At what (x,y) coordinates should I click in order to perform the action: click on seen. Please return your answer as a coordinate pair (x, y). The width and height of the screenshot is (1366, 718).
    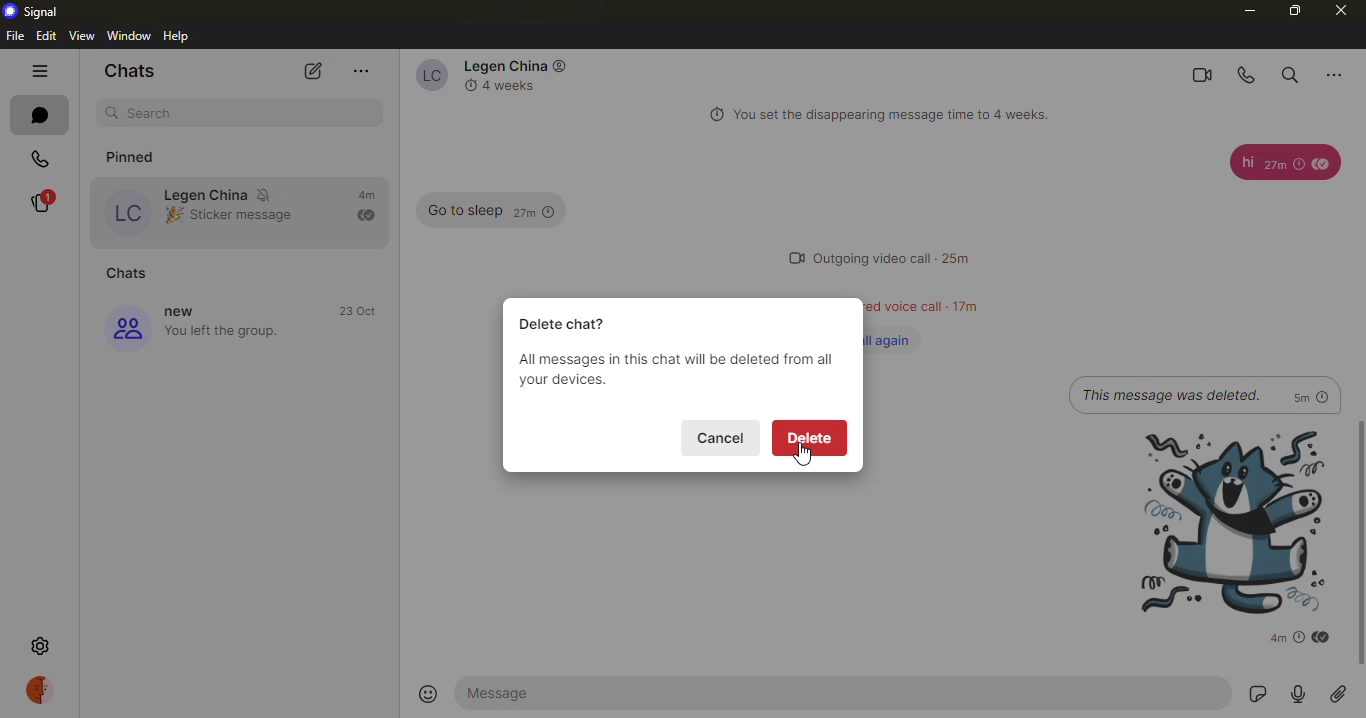
    Looking at the image, I should click on (1320, 164).